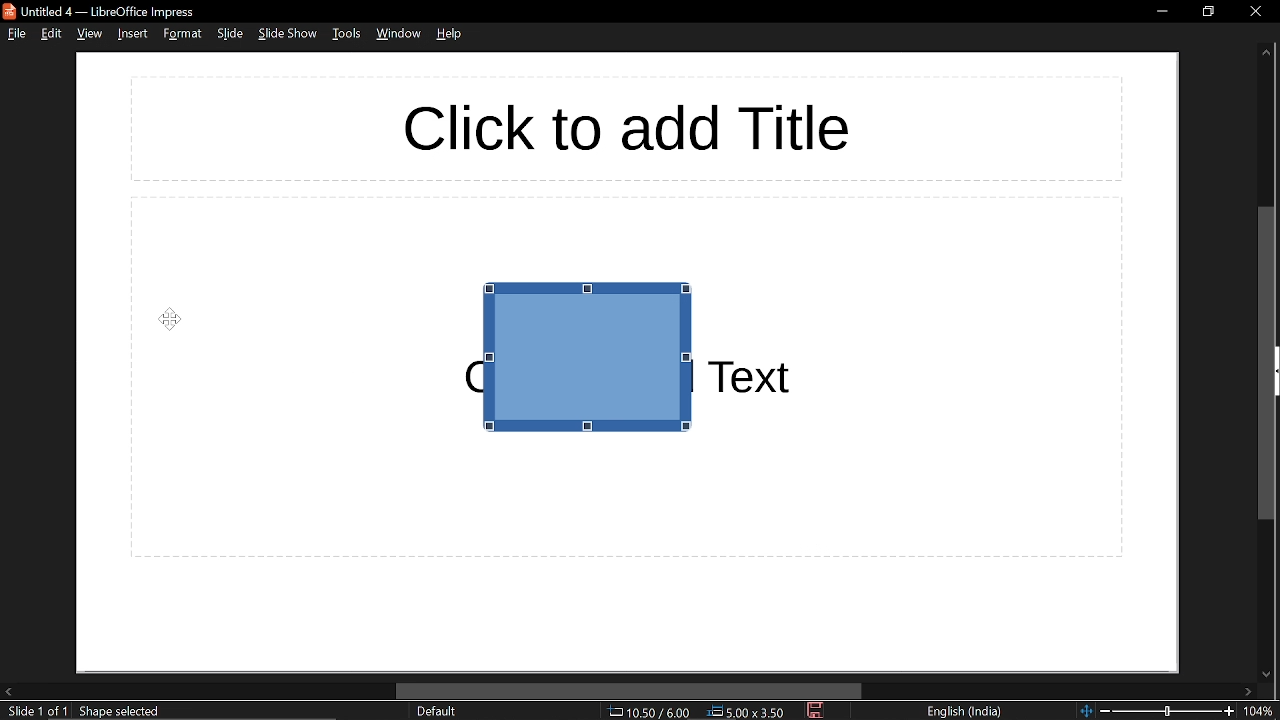 This screenshot has height=720, width=1280. I want to click on slide show, so click(286, 34).